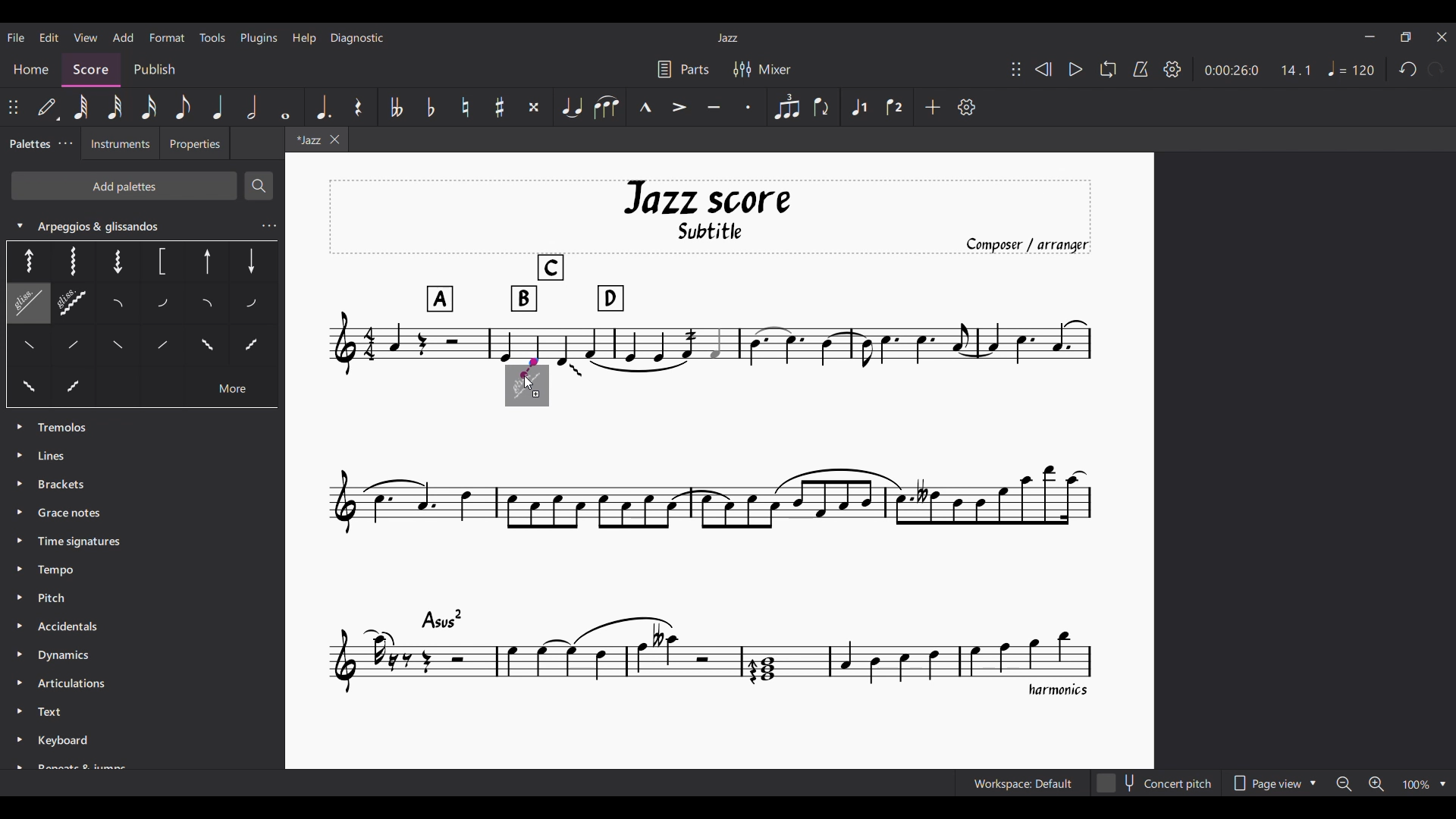 Image resolution: width=1456 pixels, height=819 pixels. What do you see at coordinates (896, 106) in the screenshot?
I see `Voice 2` at bounding box center [896, 106].